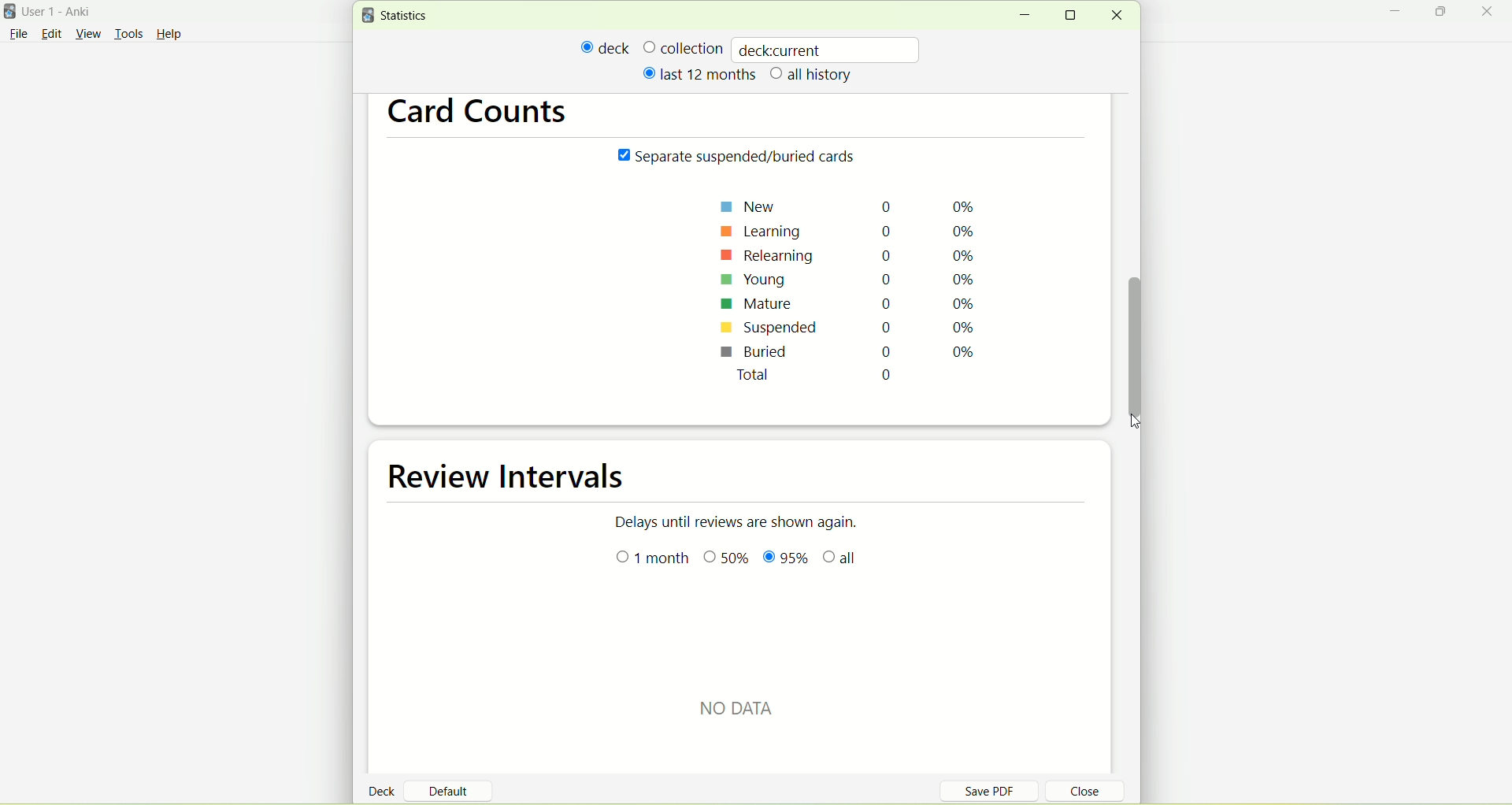 Image resolution: width=1512 pixels, height=805 pixels. I want to click on relearning 0 0%, so click(850, 254).